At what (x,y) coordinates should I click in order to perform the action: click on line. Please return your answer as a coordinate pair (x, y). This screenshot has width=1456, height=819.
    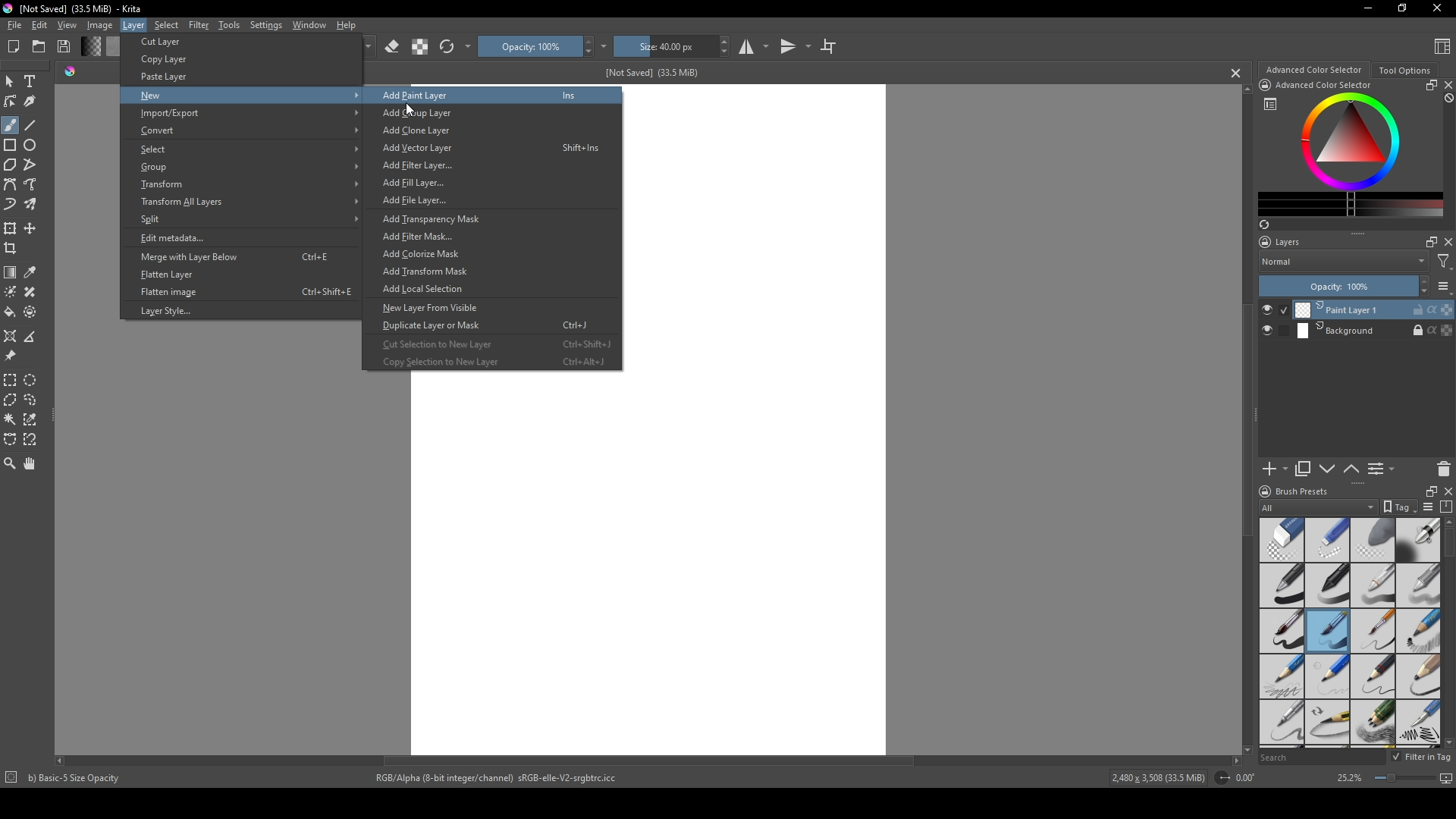
    Looking at the image, I should click on (31, 125).